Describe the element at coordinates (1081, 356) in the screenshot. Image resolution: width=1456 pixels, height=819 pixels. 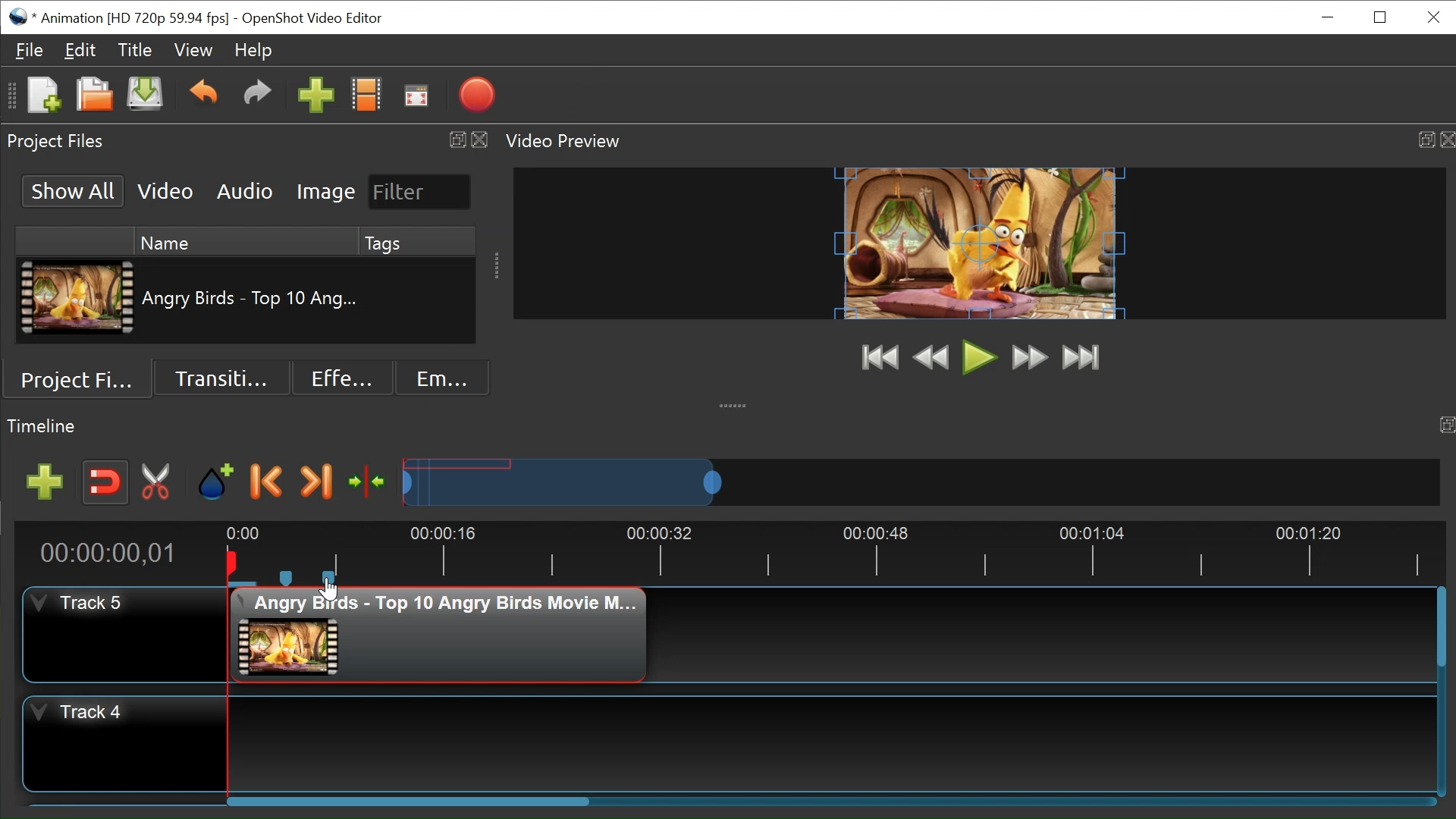
I see `Jump to End` at that location.